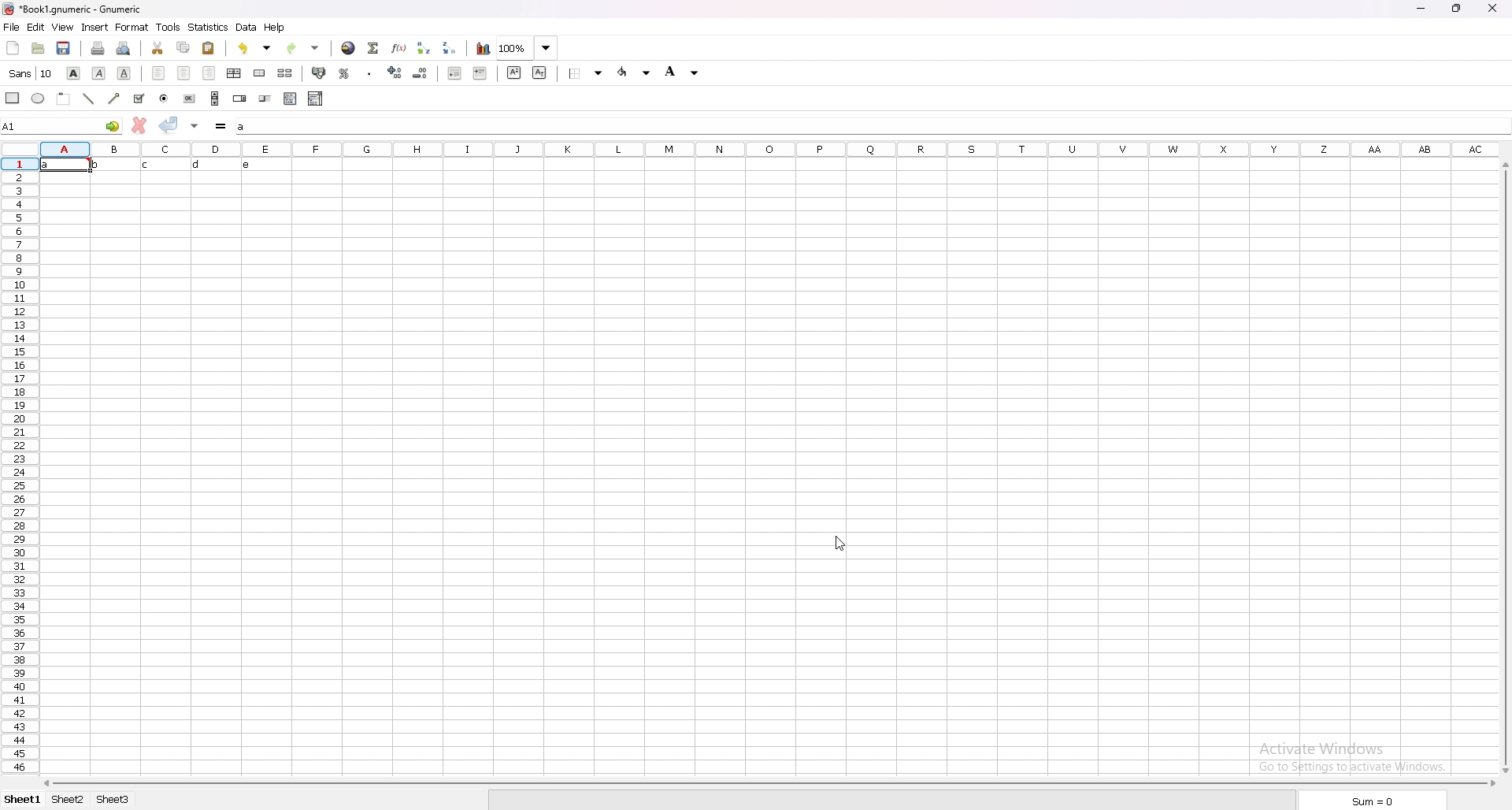 The height and width of the screenshot is (810, 1512). I want to click on border, so click(586, 73).